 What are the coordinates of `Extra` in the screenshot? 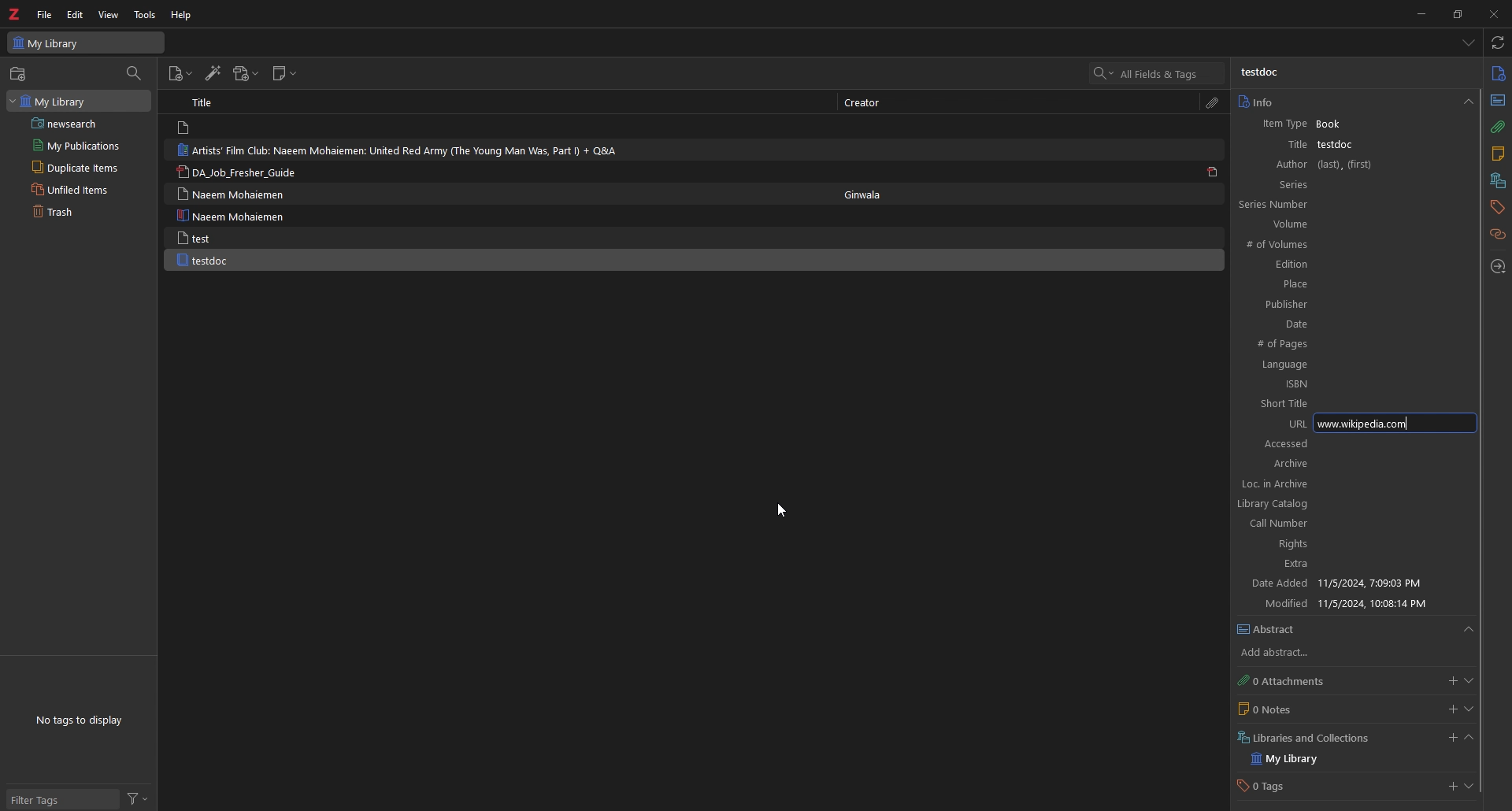 It's located at (1346, 565).